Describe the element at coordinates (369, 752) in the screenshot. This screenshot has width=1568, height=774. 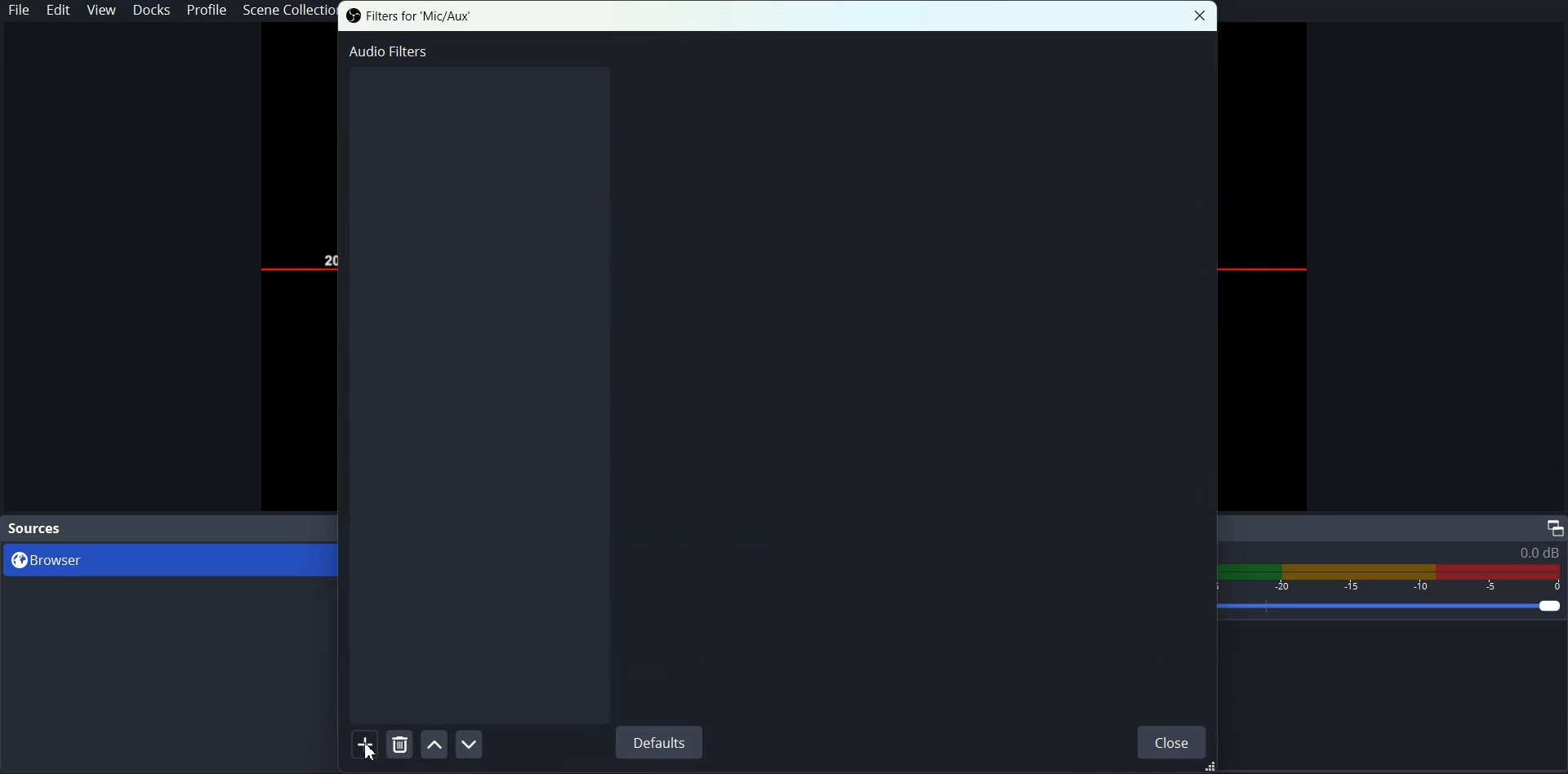
I see `cursor on Add` at that location.